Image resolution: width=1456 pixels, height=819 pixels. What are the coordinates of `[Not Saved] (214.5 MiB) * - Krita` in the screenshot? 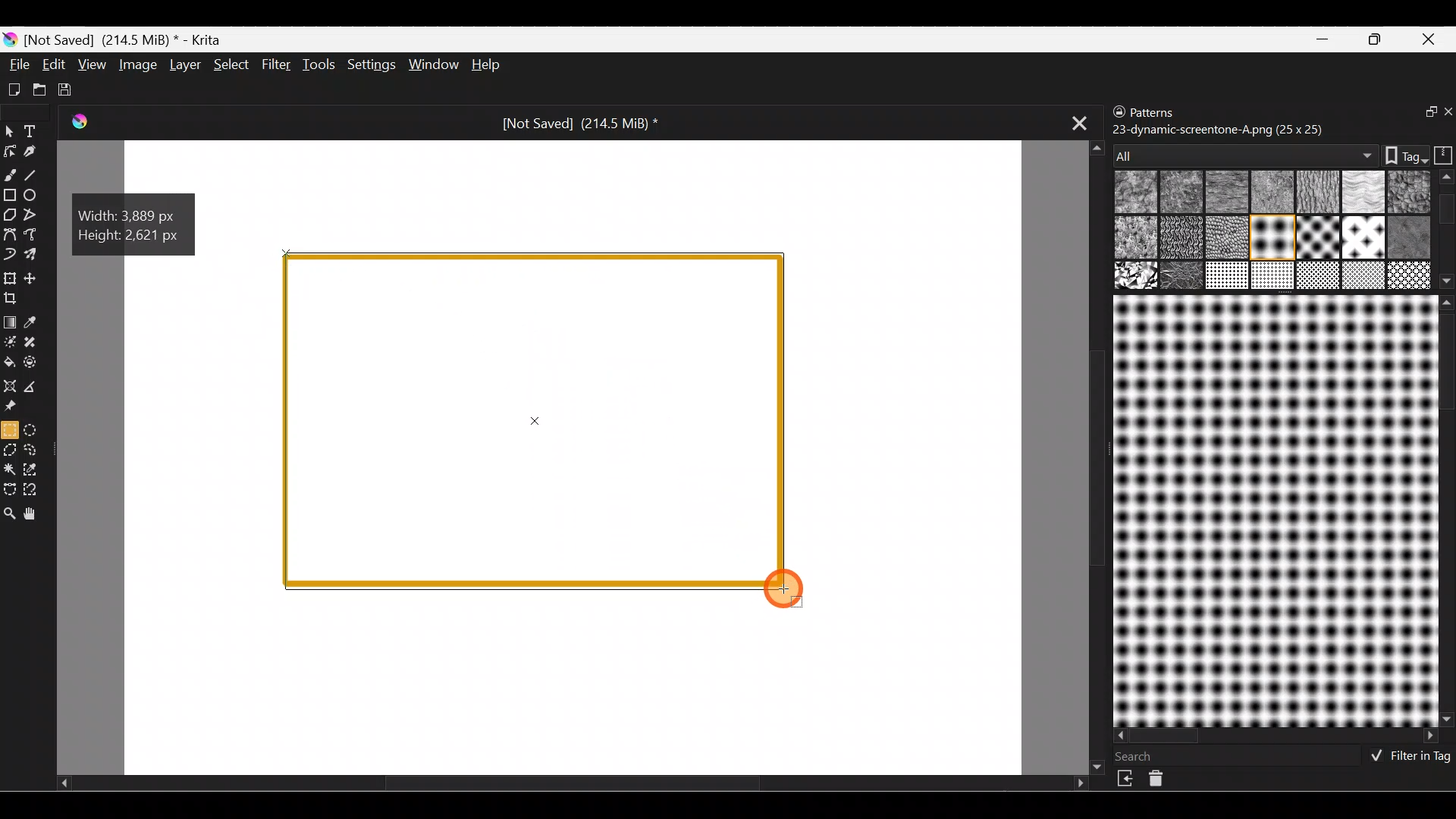 It's located at (129, 40).